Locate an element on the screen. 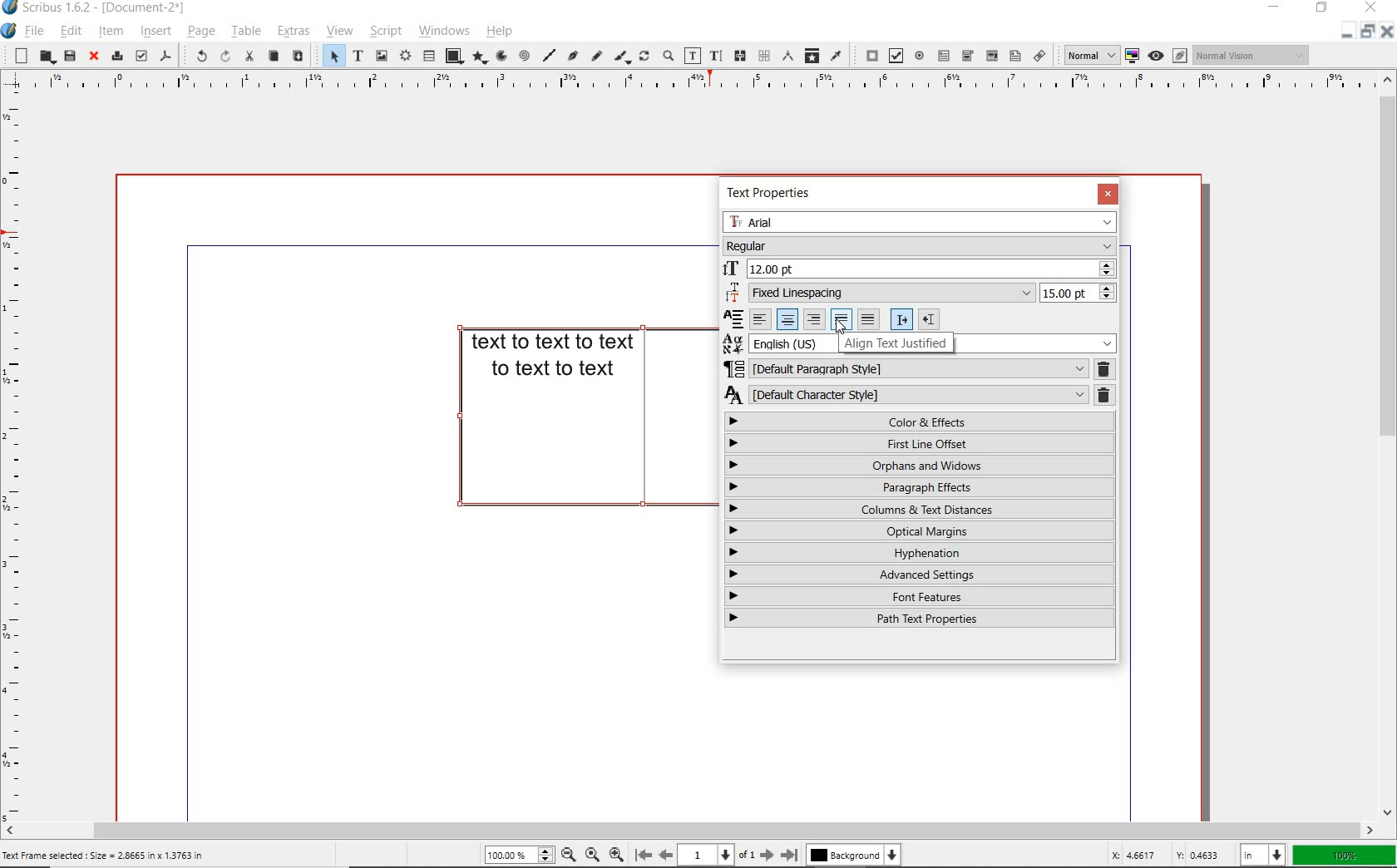  redo is located at coordinates (224, 56).